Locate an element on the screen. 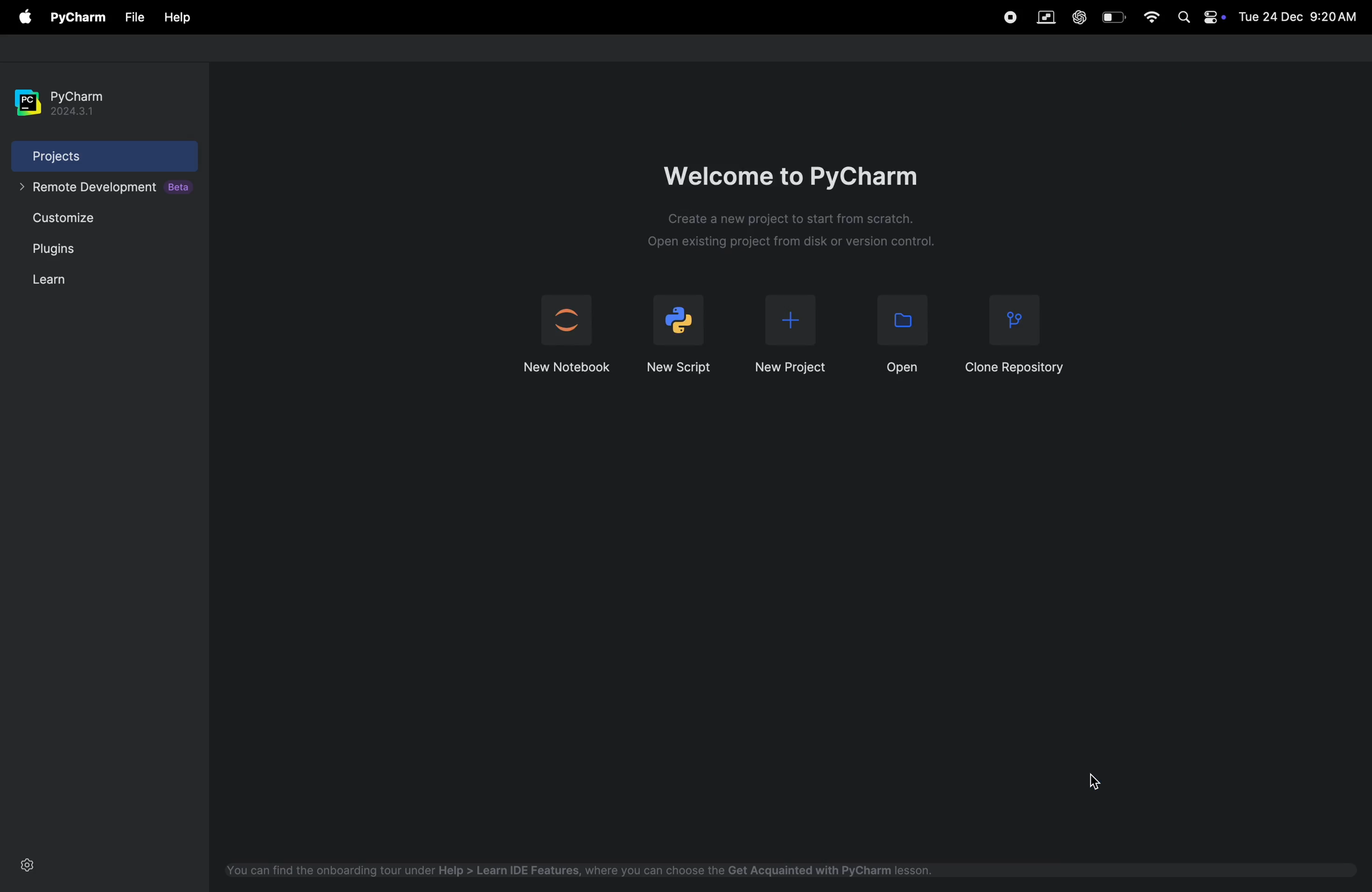  jupyter  is located at coordinates (569, 336).